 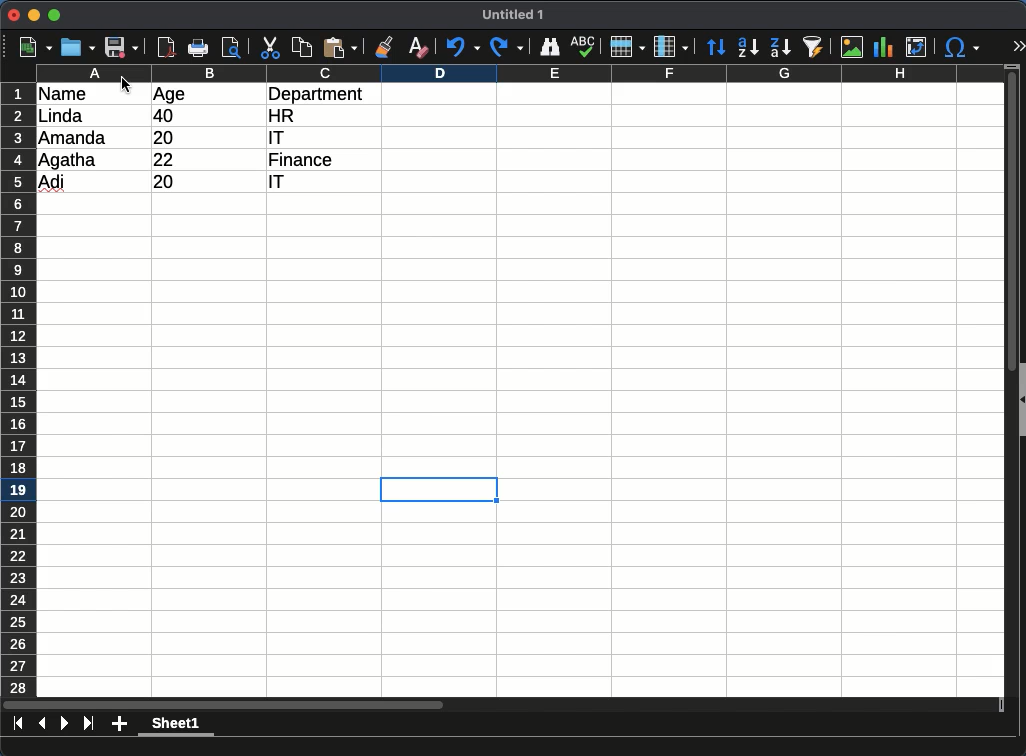 What do you see at coordinates (418, 46) in the screenshot?
I see `clear formatting` at bounding box center [418, 46].